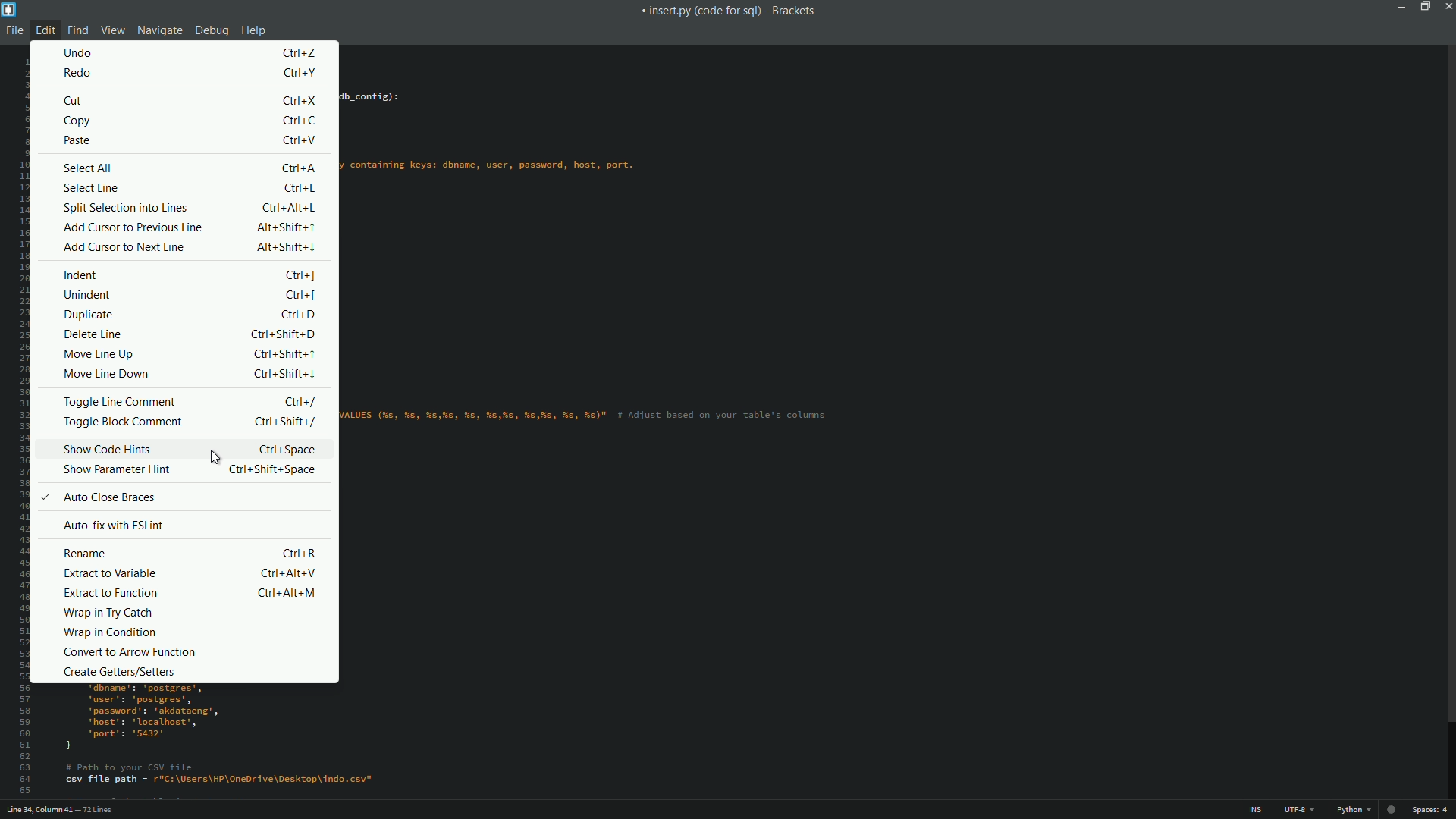  Describe the element at coordinates (124, 247) in the screenshot. I see `add cursor to next line` at that location.